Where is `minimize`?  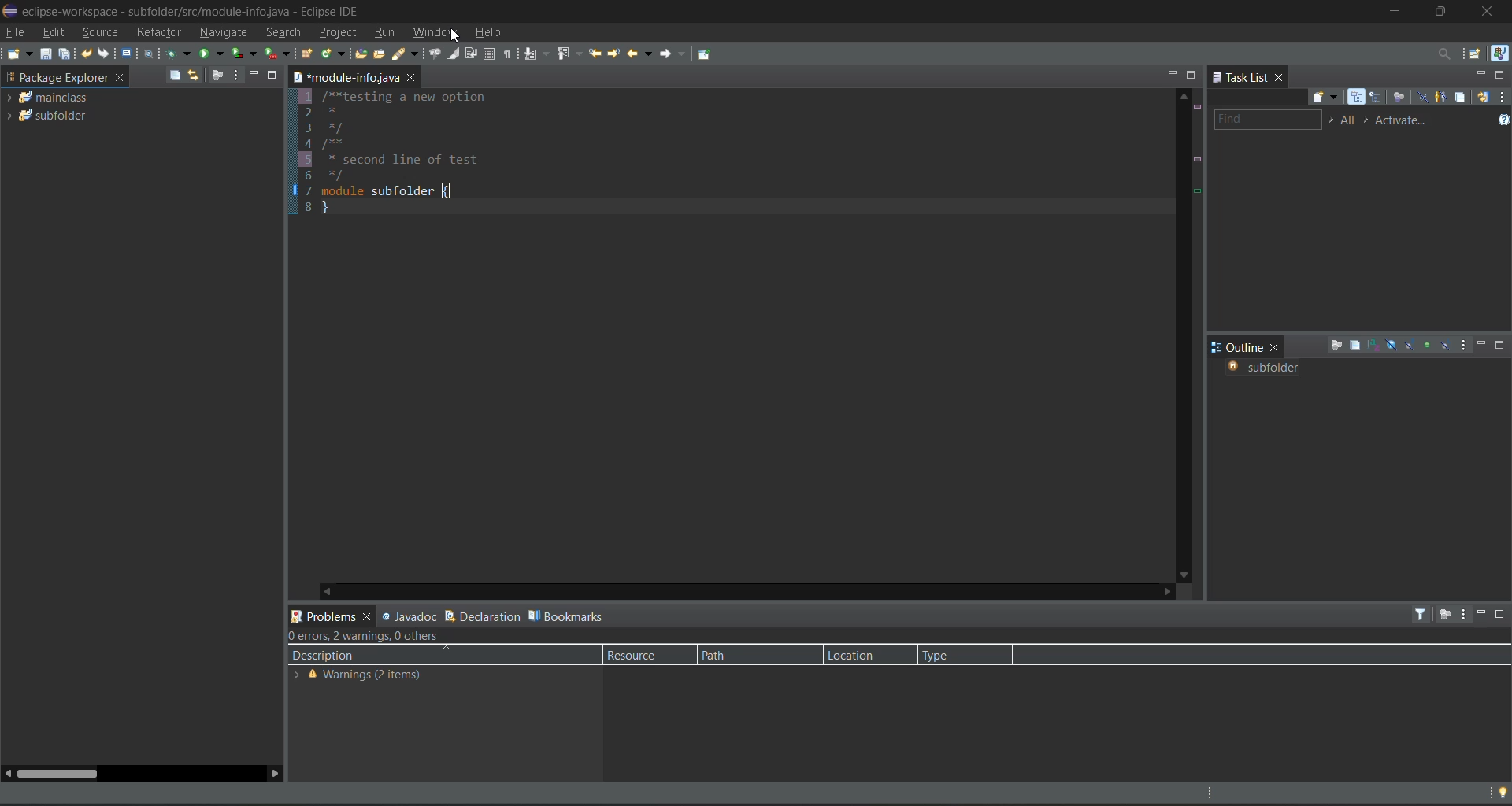
minimize is located at coordinates (1480, 613).